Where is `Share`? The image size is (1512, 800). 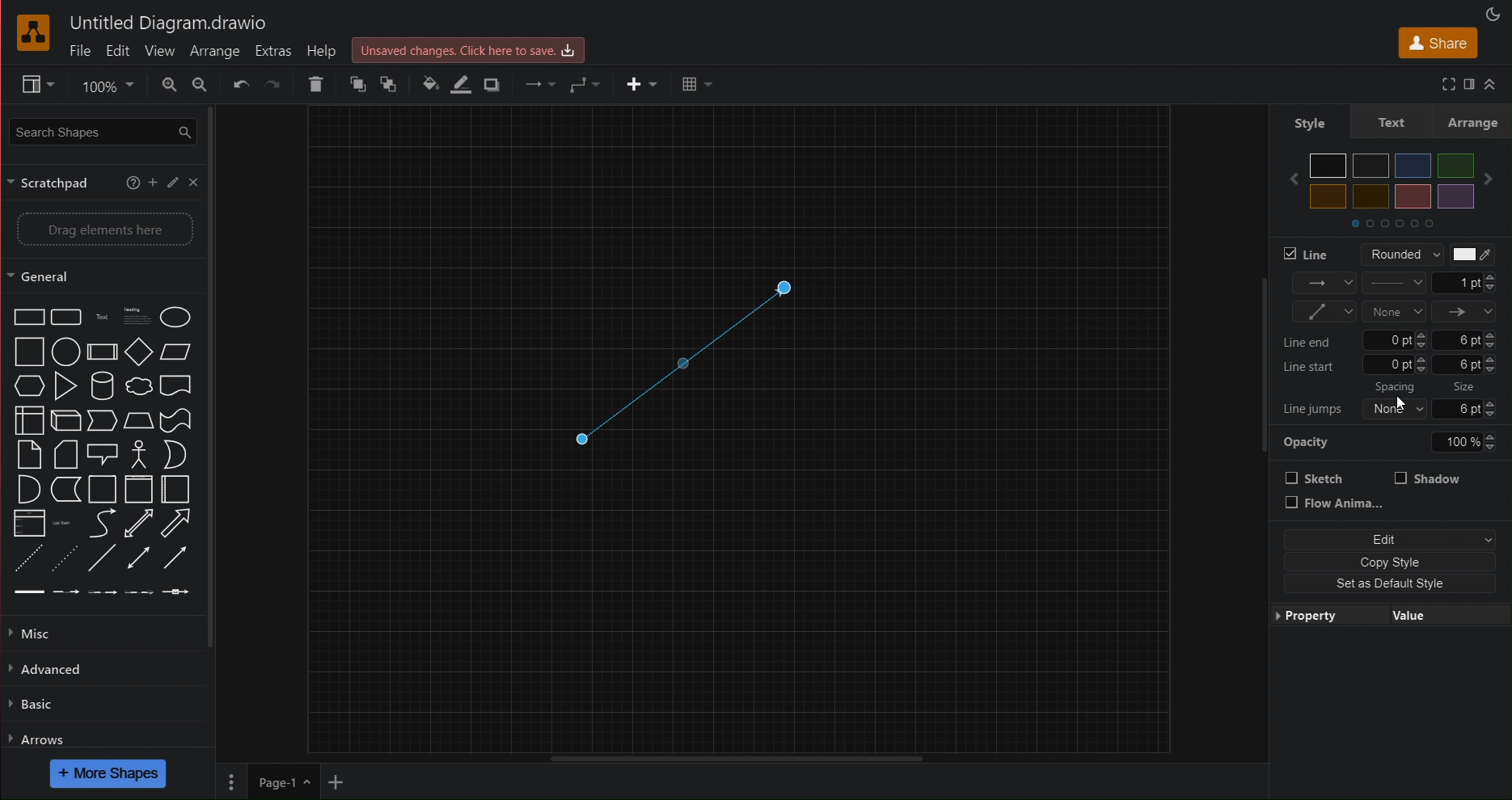 Share is located at coordinates (1434, 42).